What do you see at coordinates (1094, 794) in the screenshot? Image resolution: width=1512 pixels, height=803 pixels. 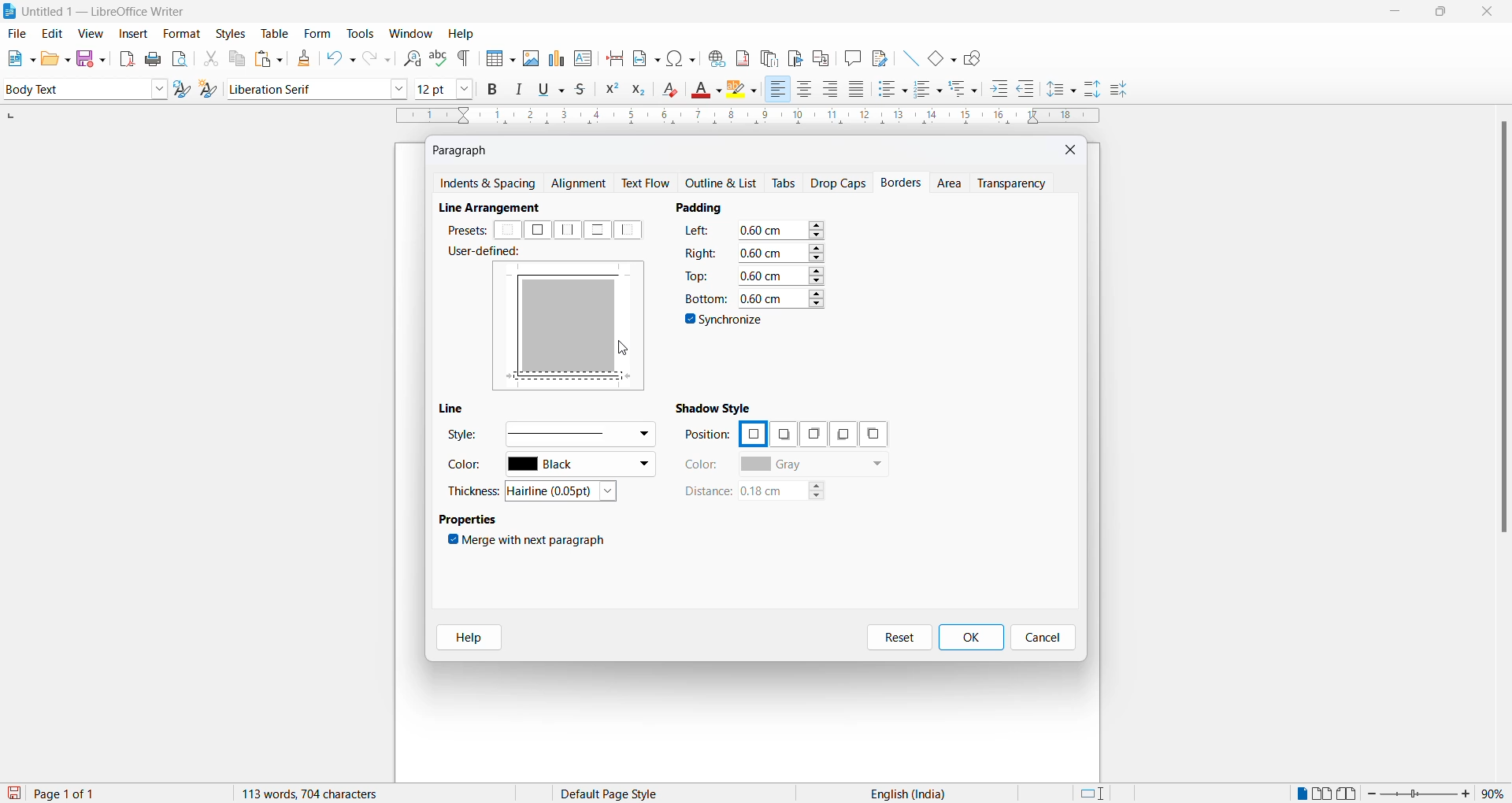 I see `standard selection` at bounding box center [1094, 794].